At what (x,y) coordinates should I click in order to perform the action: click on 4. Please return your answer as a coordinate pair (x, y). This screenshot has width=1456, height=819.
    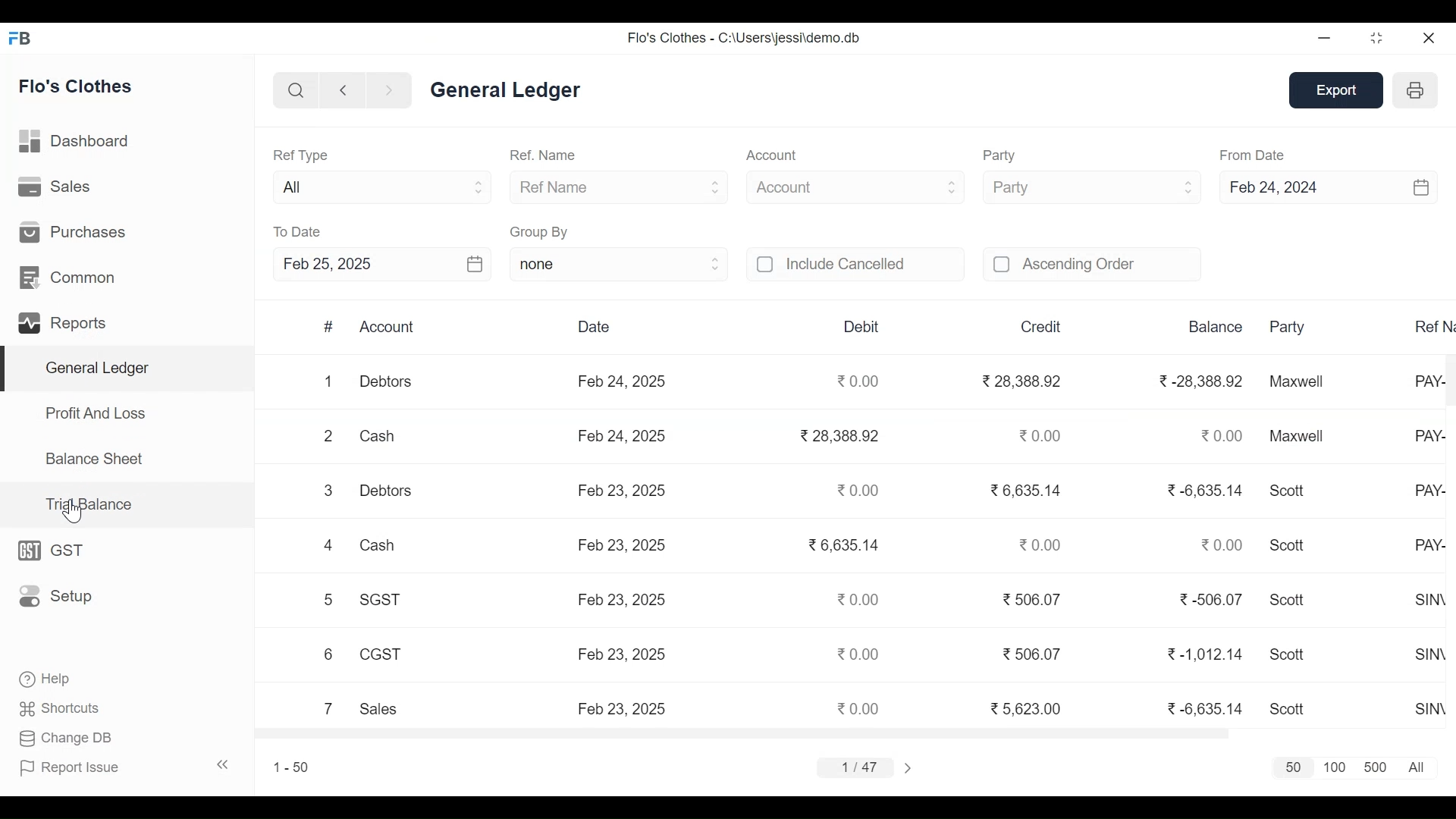
    Looking at the image, I should click on (328, 545).